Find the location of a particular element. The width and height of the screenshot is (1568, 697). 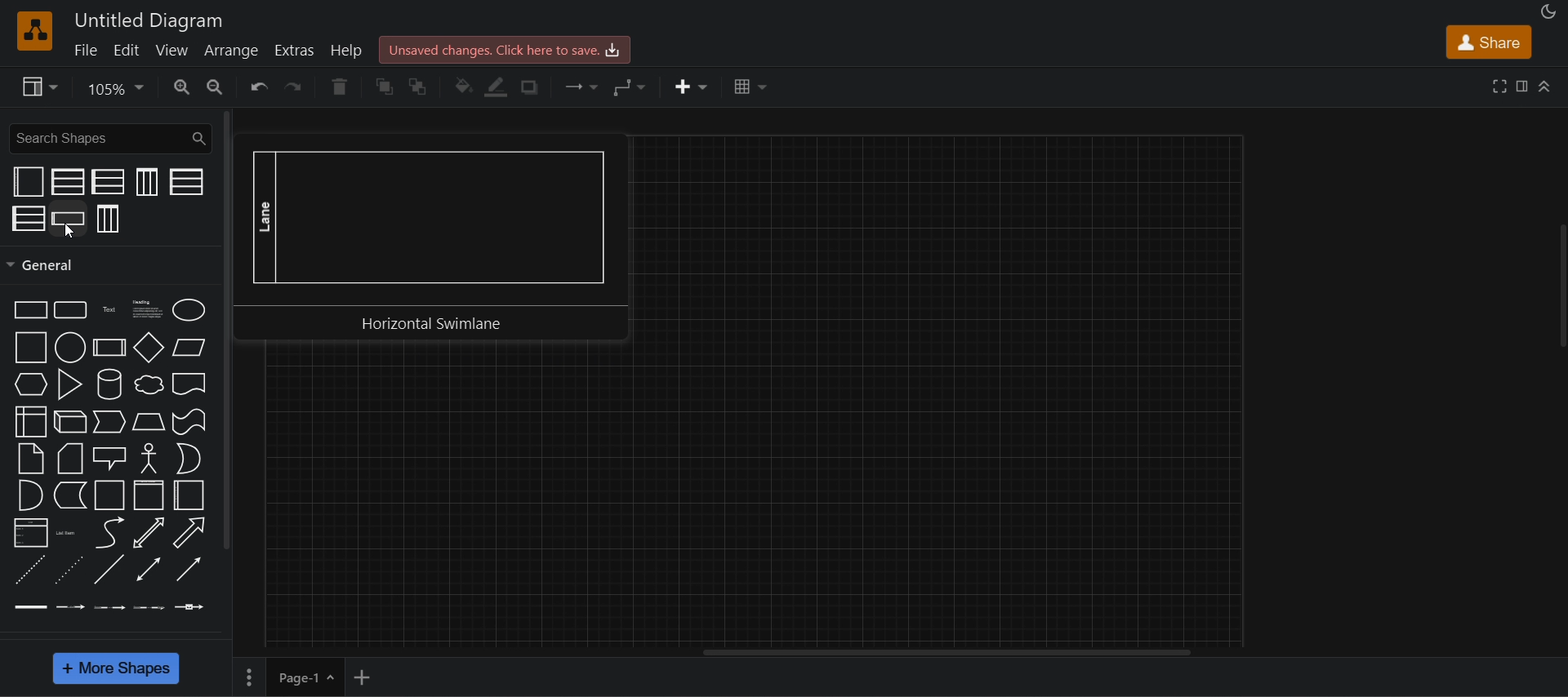

connector with symbol is located at coordinates (189, 606).